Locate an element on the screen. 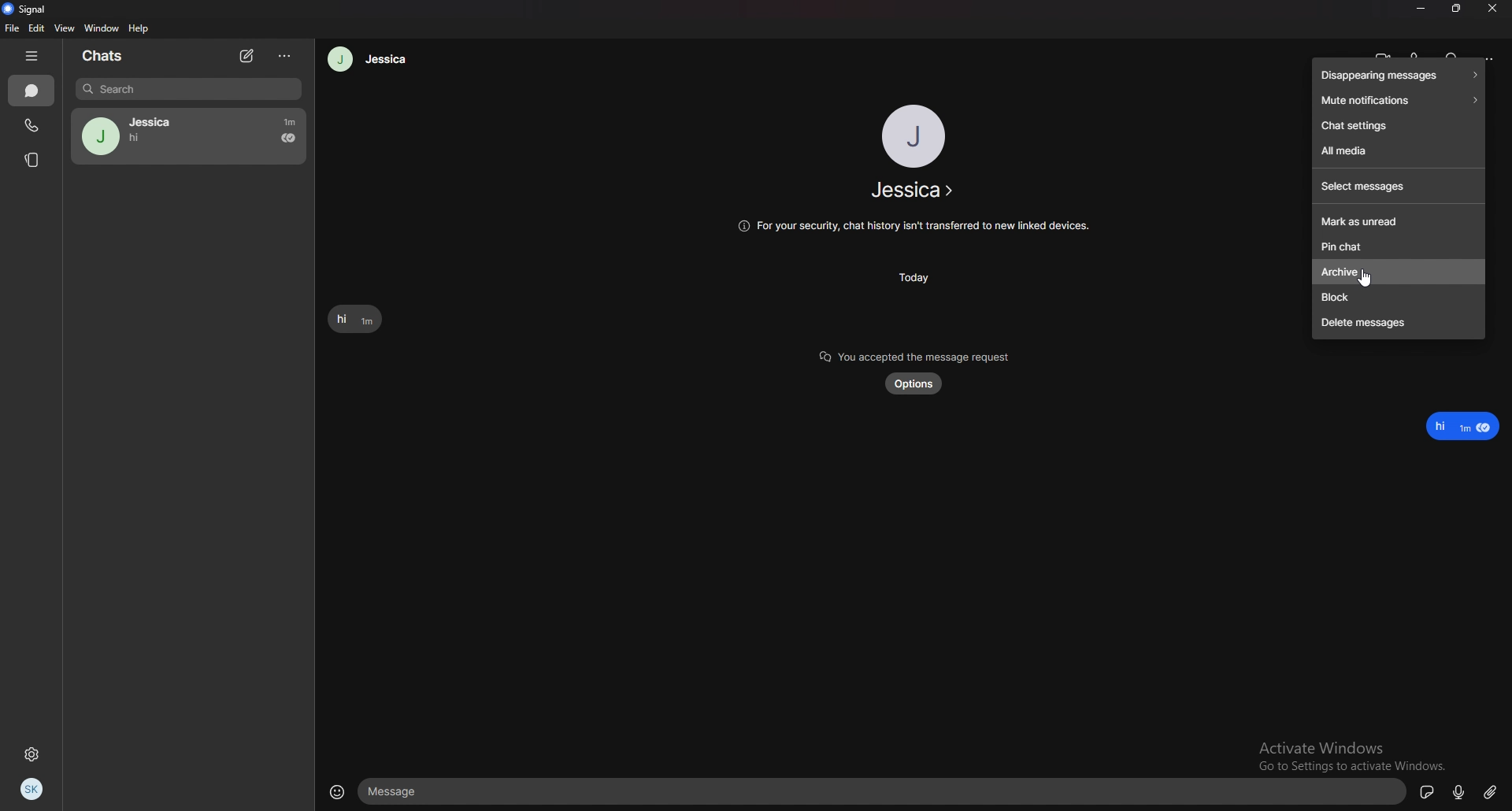 The width and height of the screenshot is (1512, 811). Contact photo J is located at coordinates (914, 135).